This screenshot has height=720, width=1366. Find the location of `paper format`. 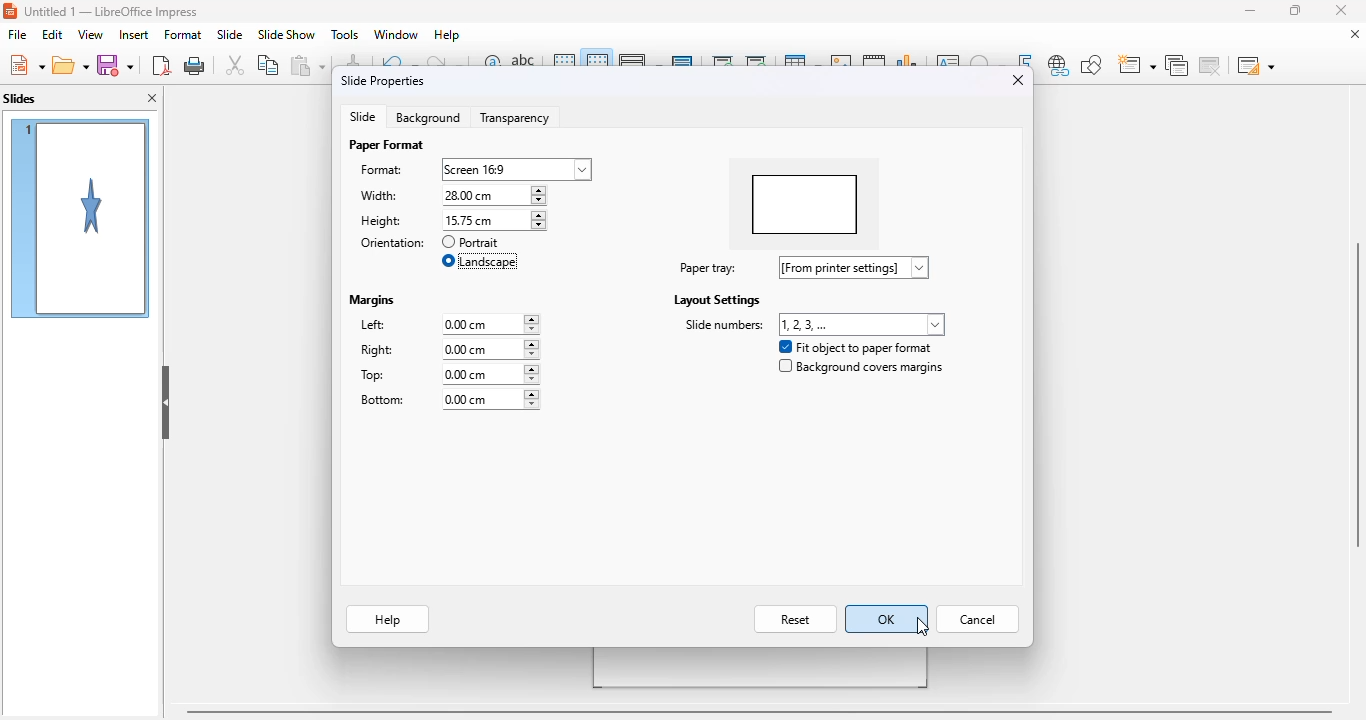

paper format is located at coordinates (388, 144).